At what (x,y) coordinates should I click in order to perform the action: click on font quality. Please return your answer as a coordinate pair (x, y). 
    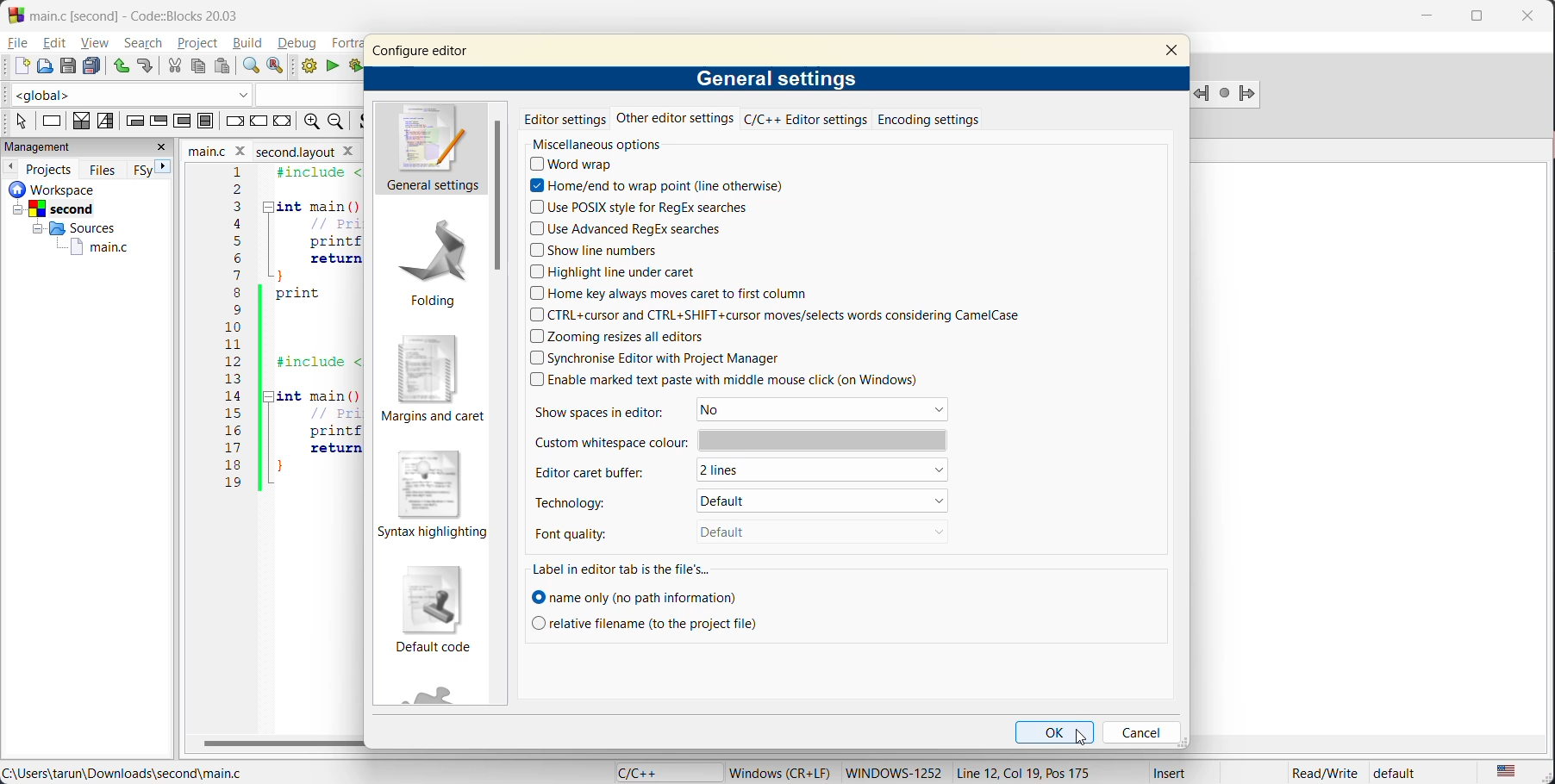
    Looking at the image, I should click on (587, 531).